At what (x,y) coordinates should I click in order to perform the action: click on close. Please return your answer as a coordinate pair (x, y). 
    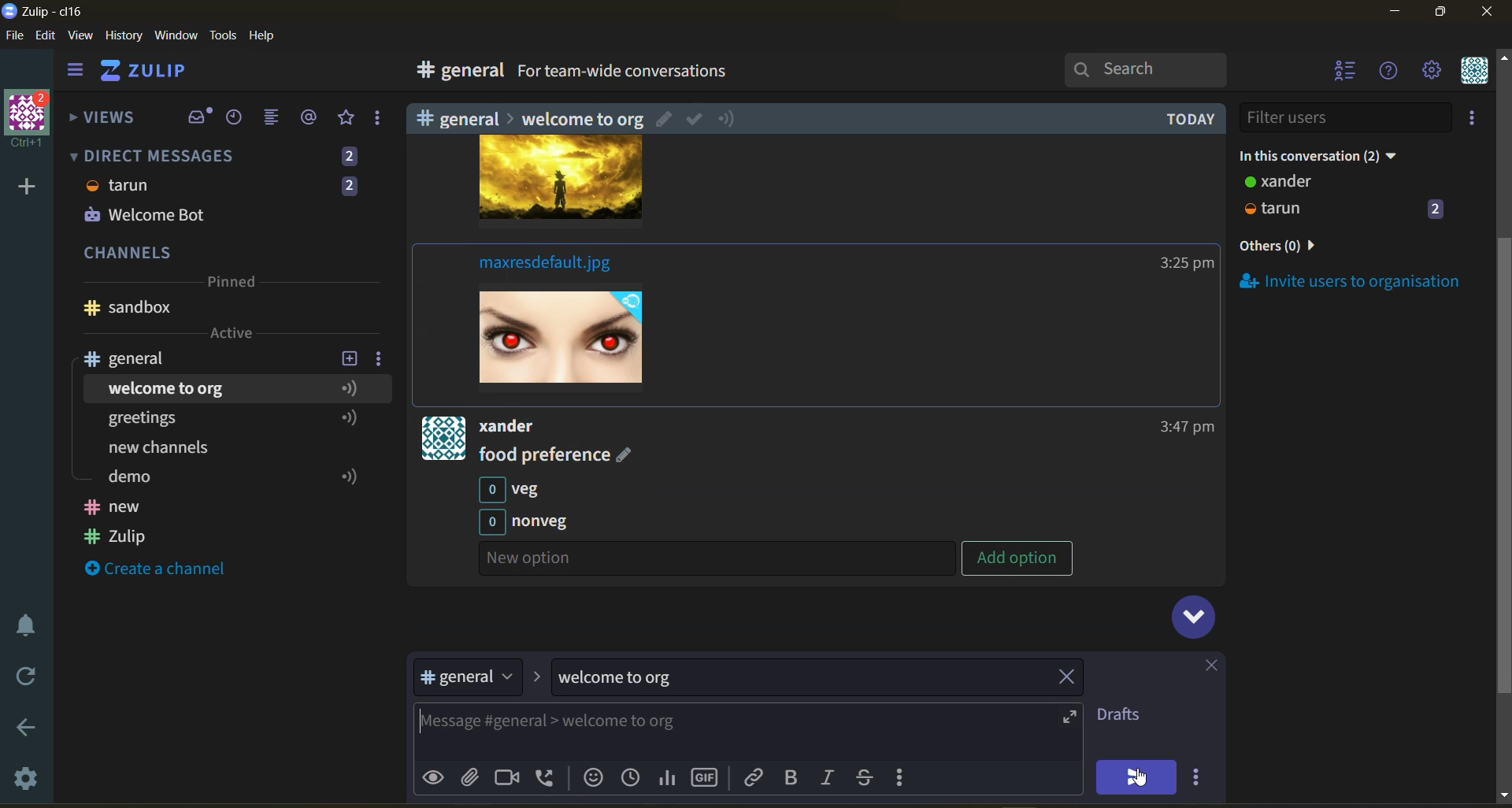
    Looking at the image, I should click on (1488, 17).